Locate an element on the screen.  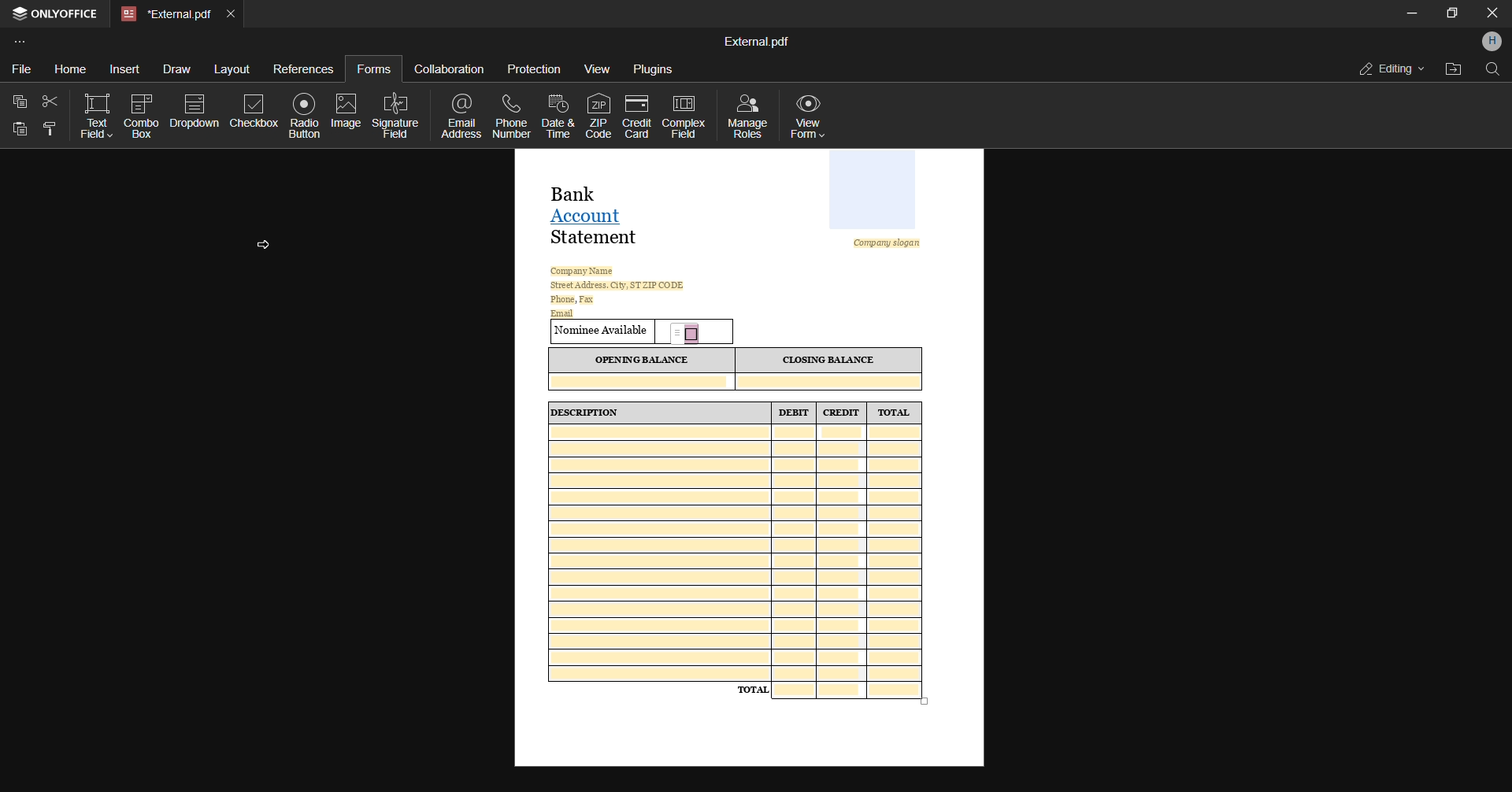
forms is located at coordinates (372, 68).